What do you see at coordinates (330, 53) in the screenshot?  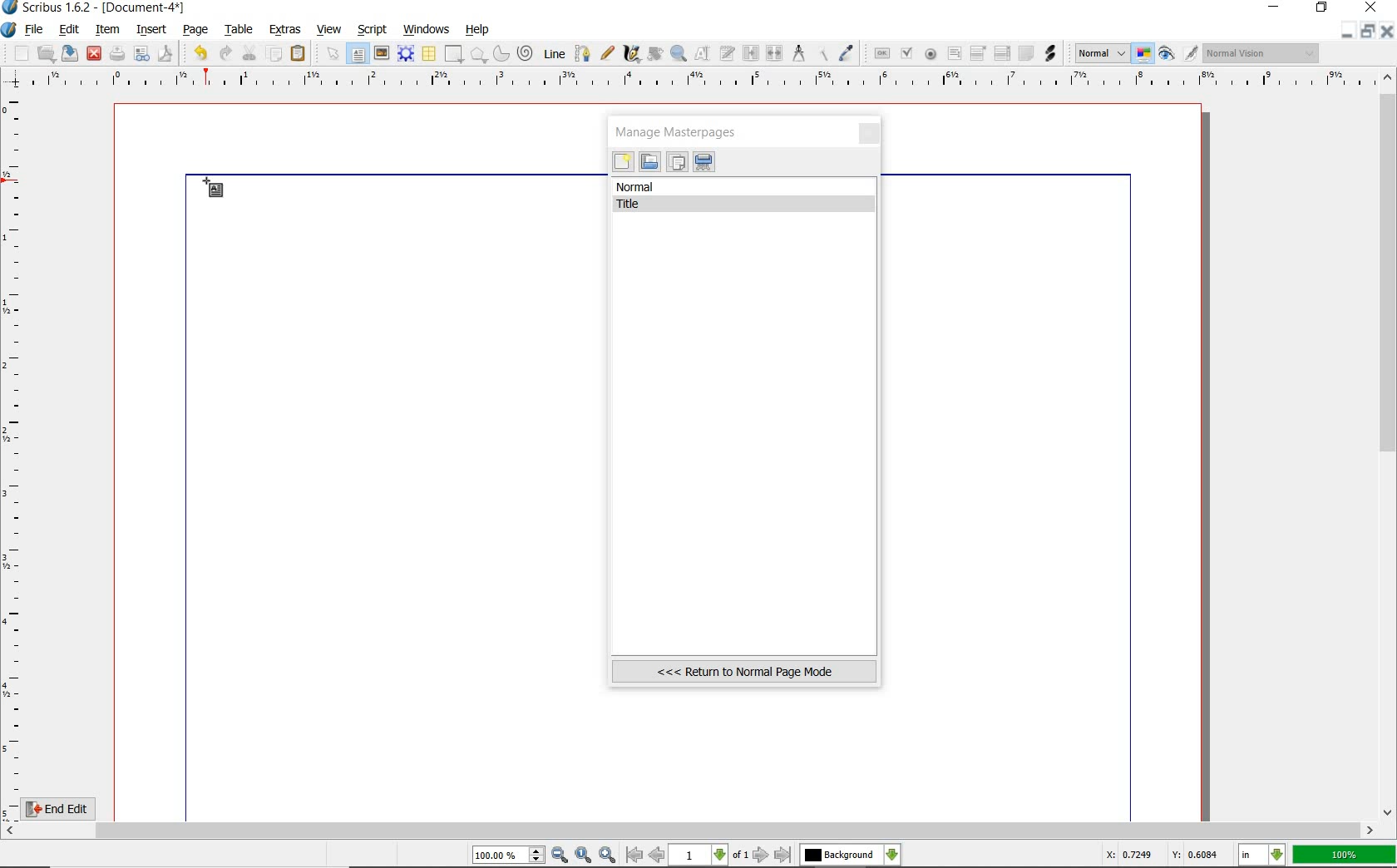 I see `select` at bounding box center [330, 53].